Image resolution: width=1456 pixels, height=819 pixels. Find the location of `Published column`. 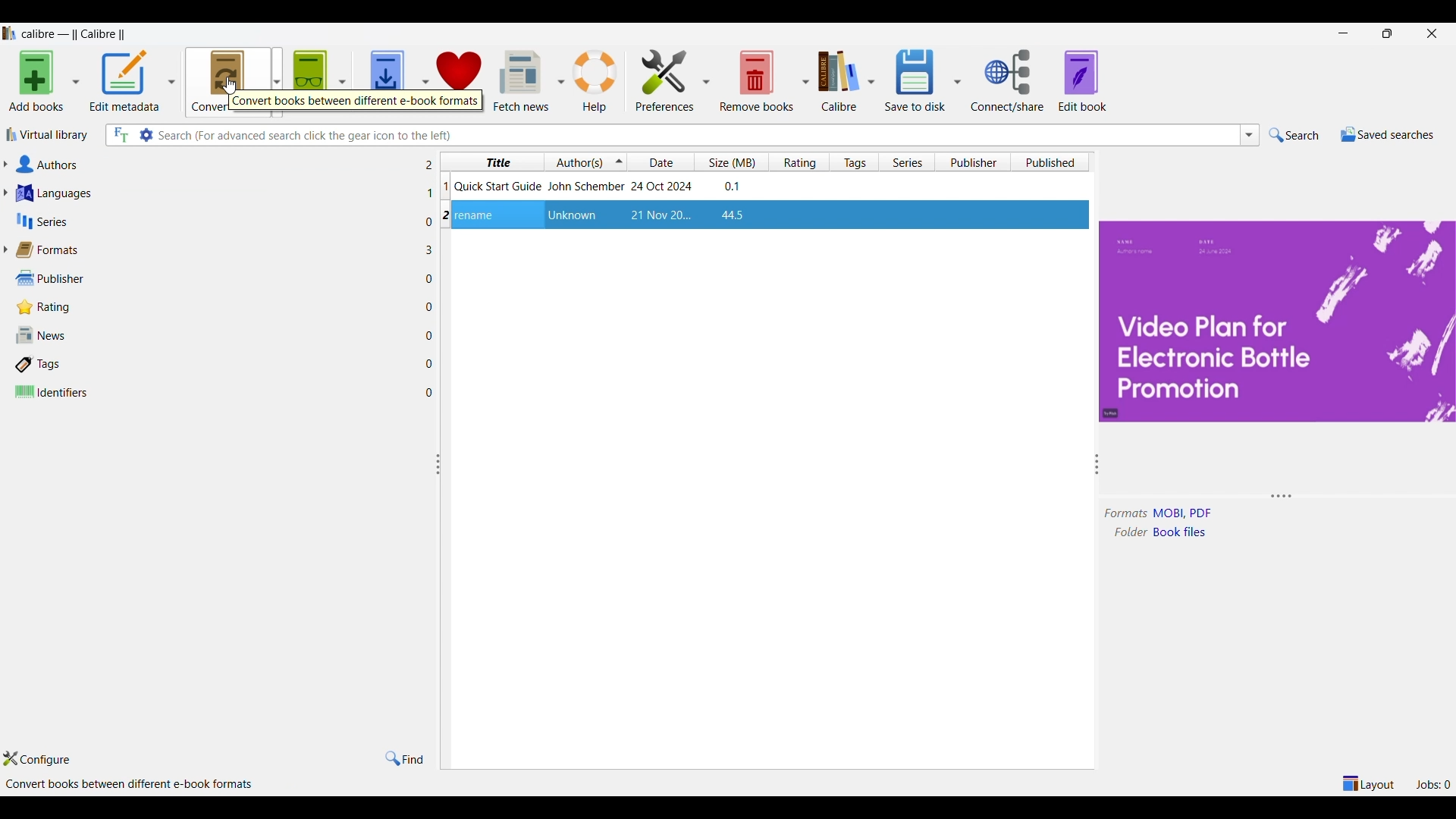

Published column is located at coordinates (1053, 162).